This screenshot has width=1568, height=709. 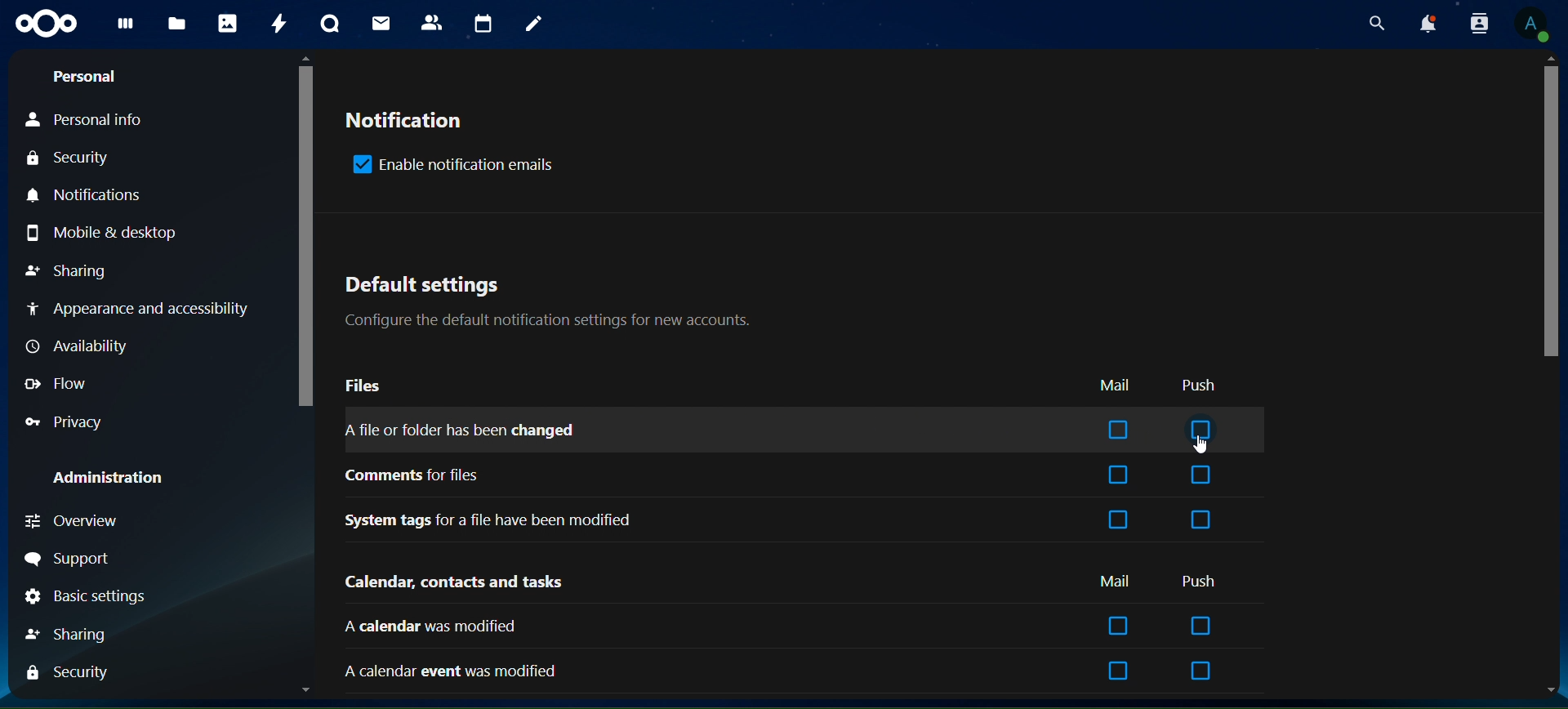 What do you see at coordinates (452, 166) in the screenshot?
I see `enable notification emails` at bounding box center [452, 166].